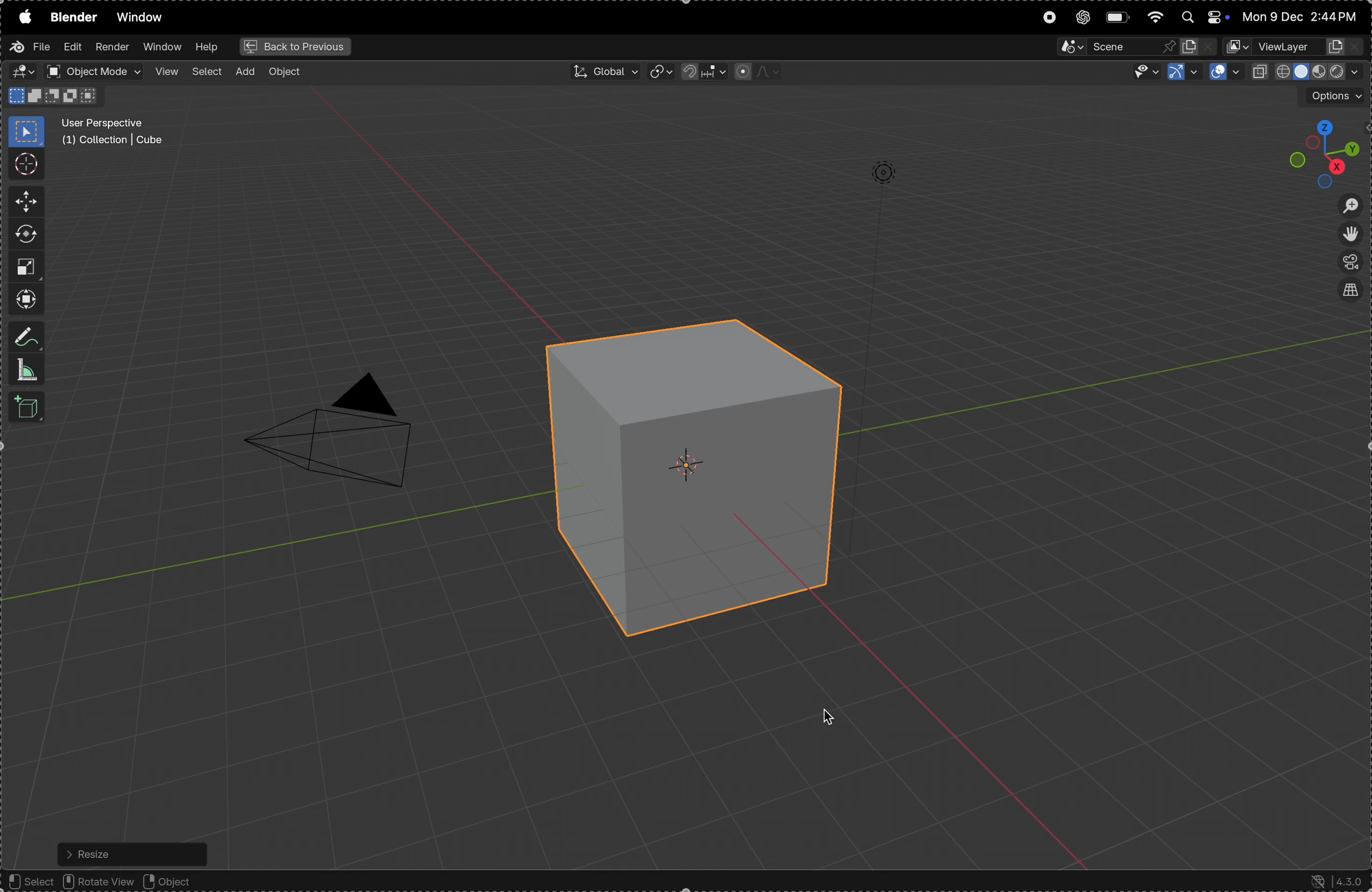  Describe the element at coordinates (24, 201) in the screenshot. I see `move` at that location.